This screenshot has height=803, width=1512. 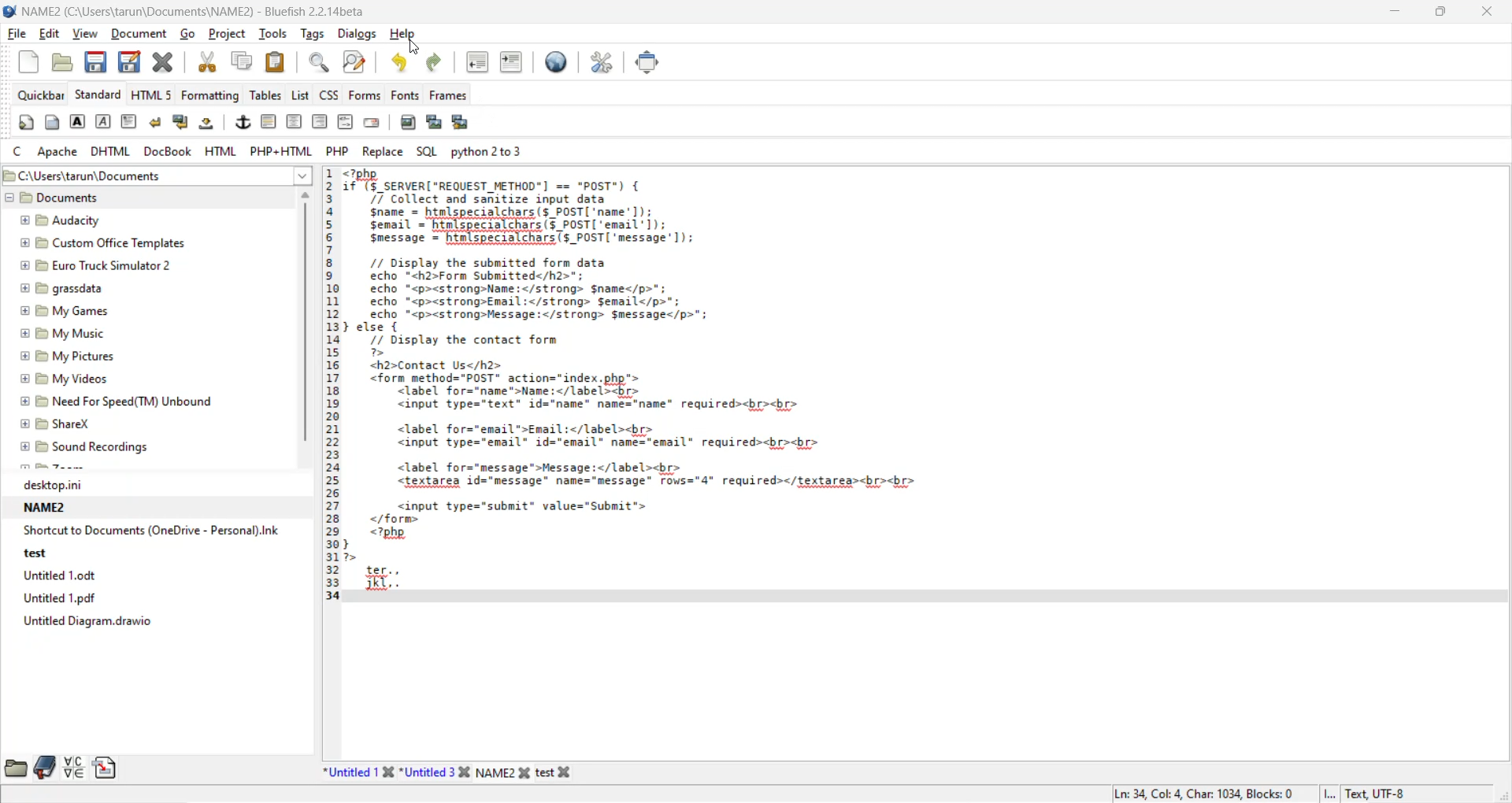 I want to click on html, so click(x=222, y=149).